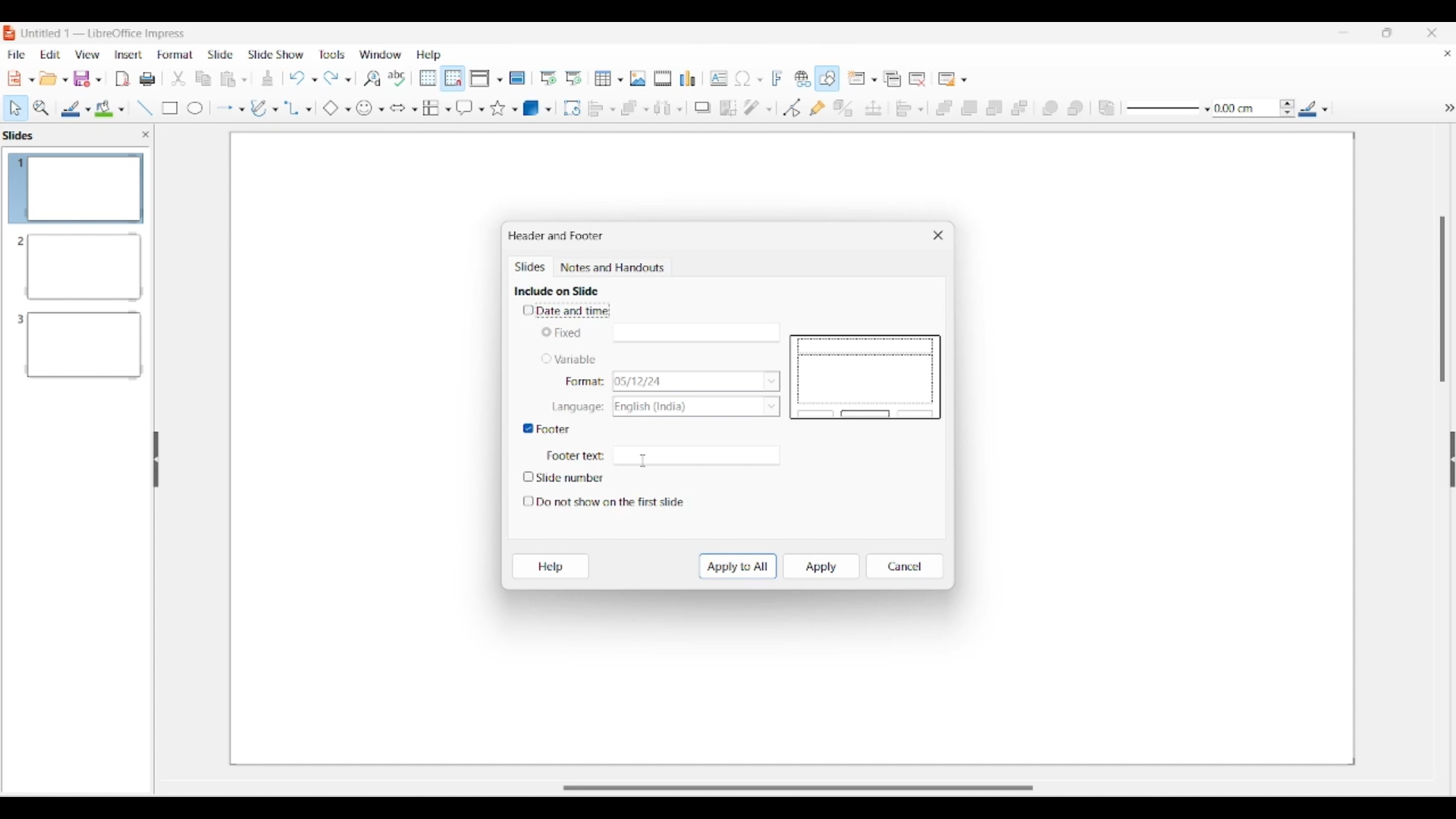 This screenshot has width=1456, height=819. Describe the element at coordinates (268, 78) in the screenshot. I see `Download` at that location.